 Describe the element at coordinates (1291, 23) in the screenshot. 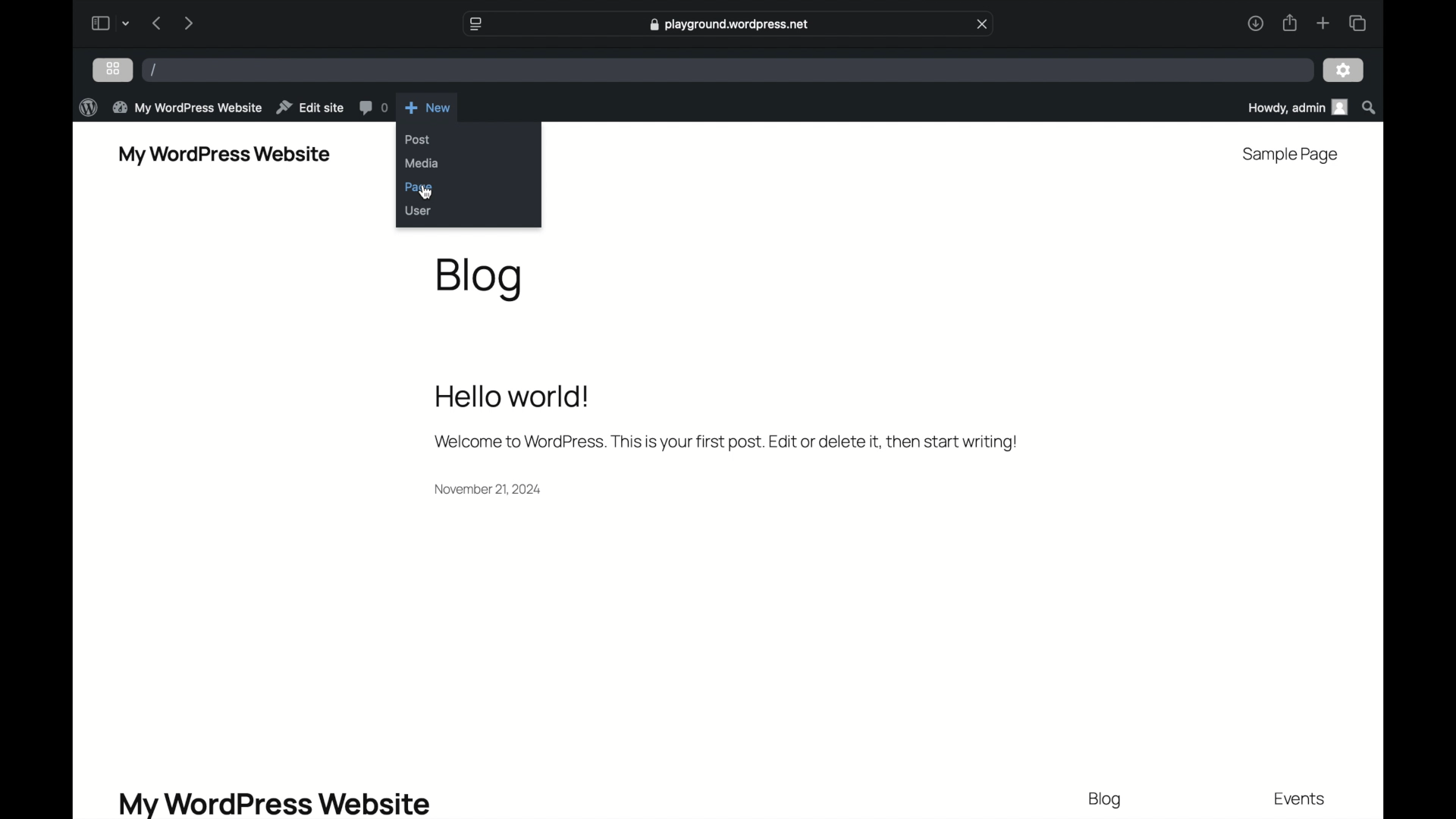

I see `share` at that location.